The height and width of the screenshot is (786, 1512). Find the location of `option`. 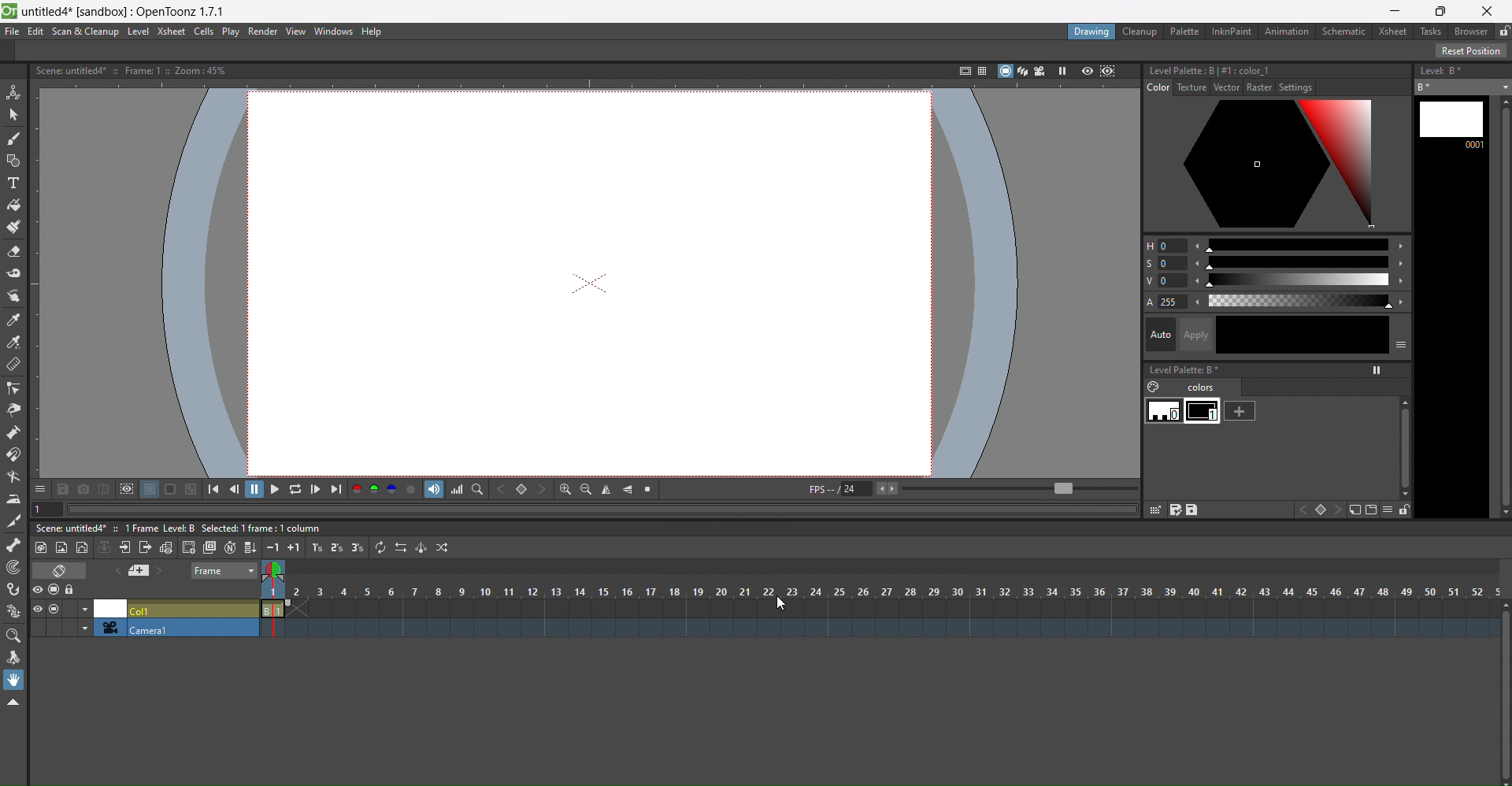

option is located at coordinates (1378, 370).